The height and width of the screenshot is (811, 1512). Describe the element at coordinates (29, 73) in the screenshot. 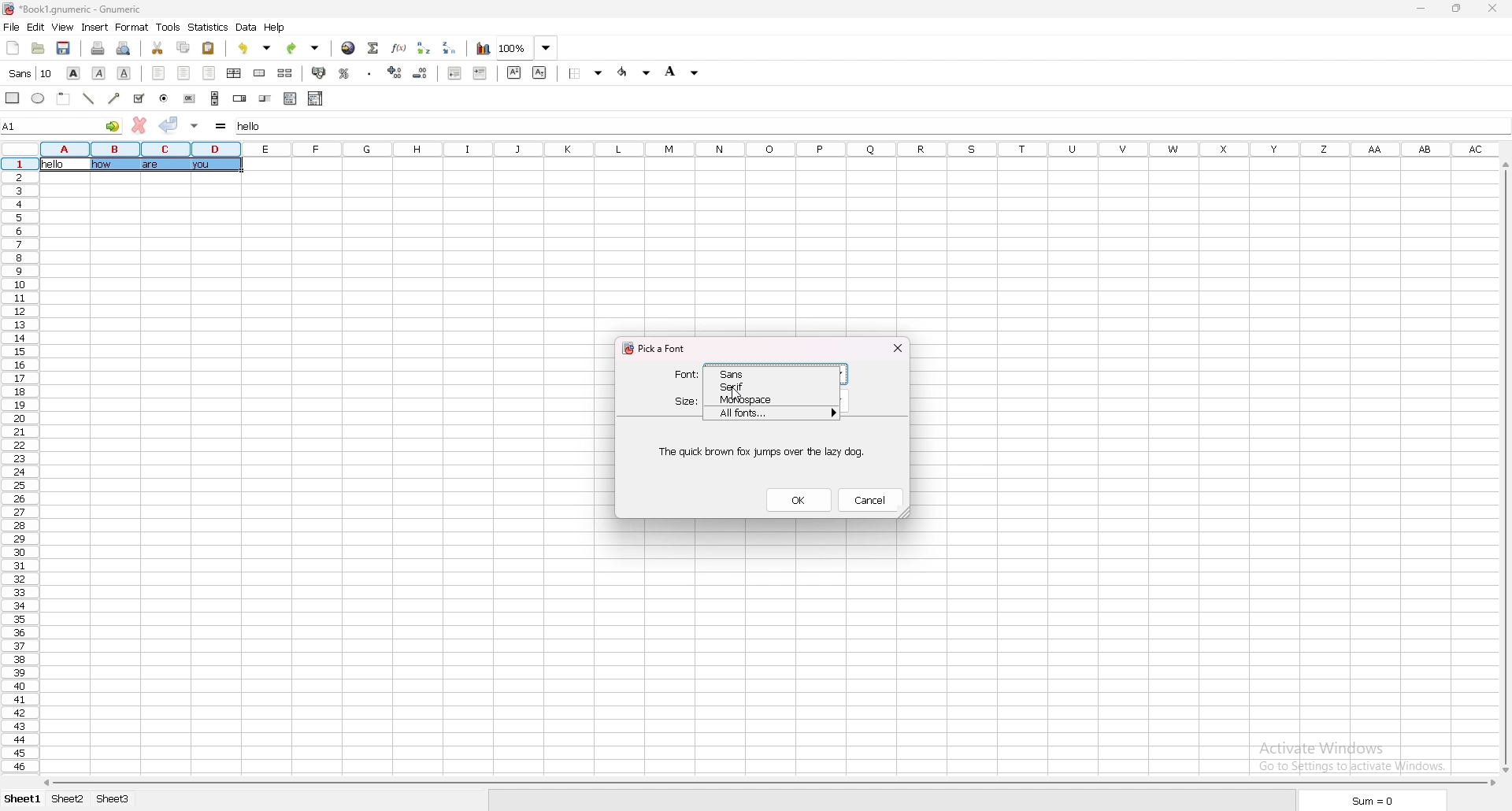

I see `font` at that location.